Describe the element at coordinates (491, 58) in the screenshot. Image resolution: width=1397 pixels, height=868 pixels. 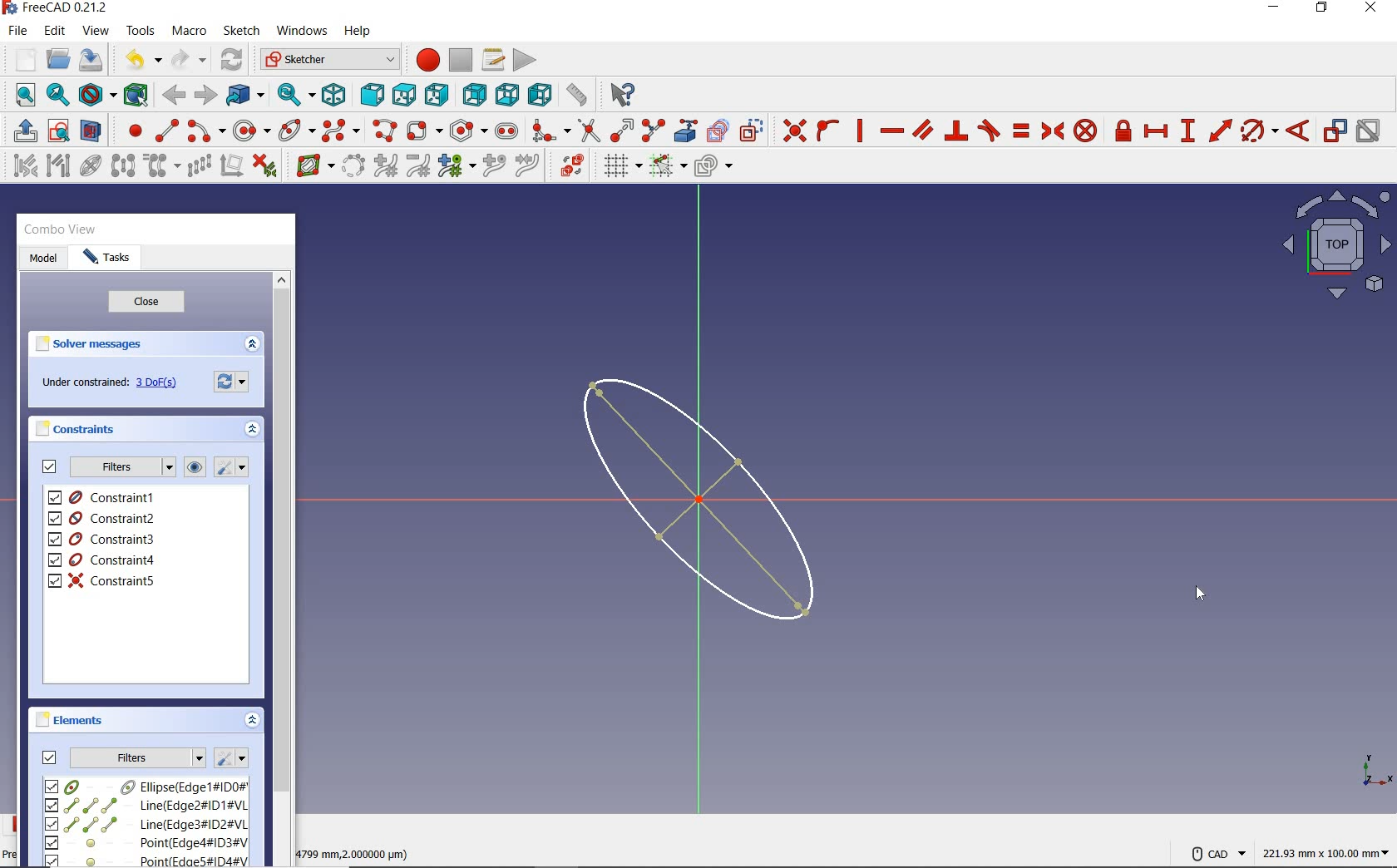
I see `macros` at that location.